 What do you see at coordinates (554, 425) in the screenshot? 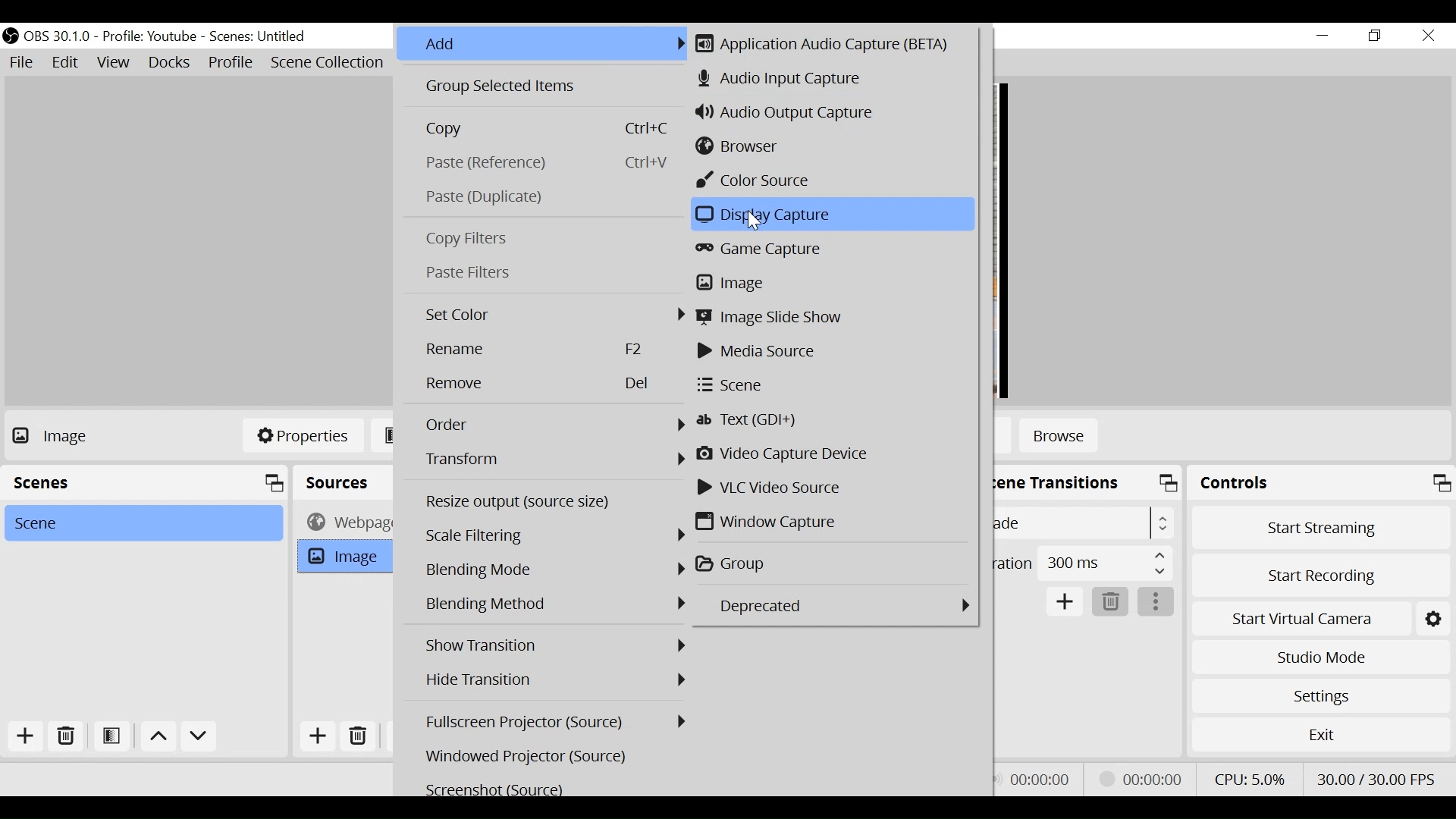
I see `Order` at bounding box center [554, 425].